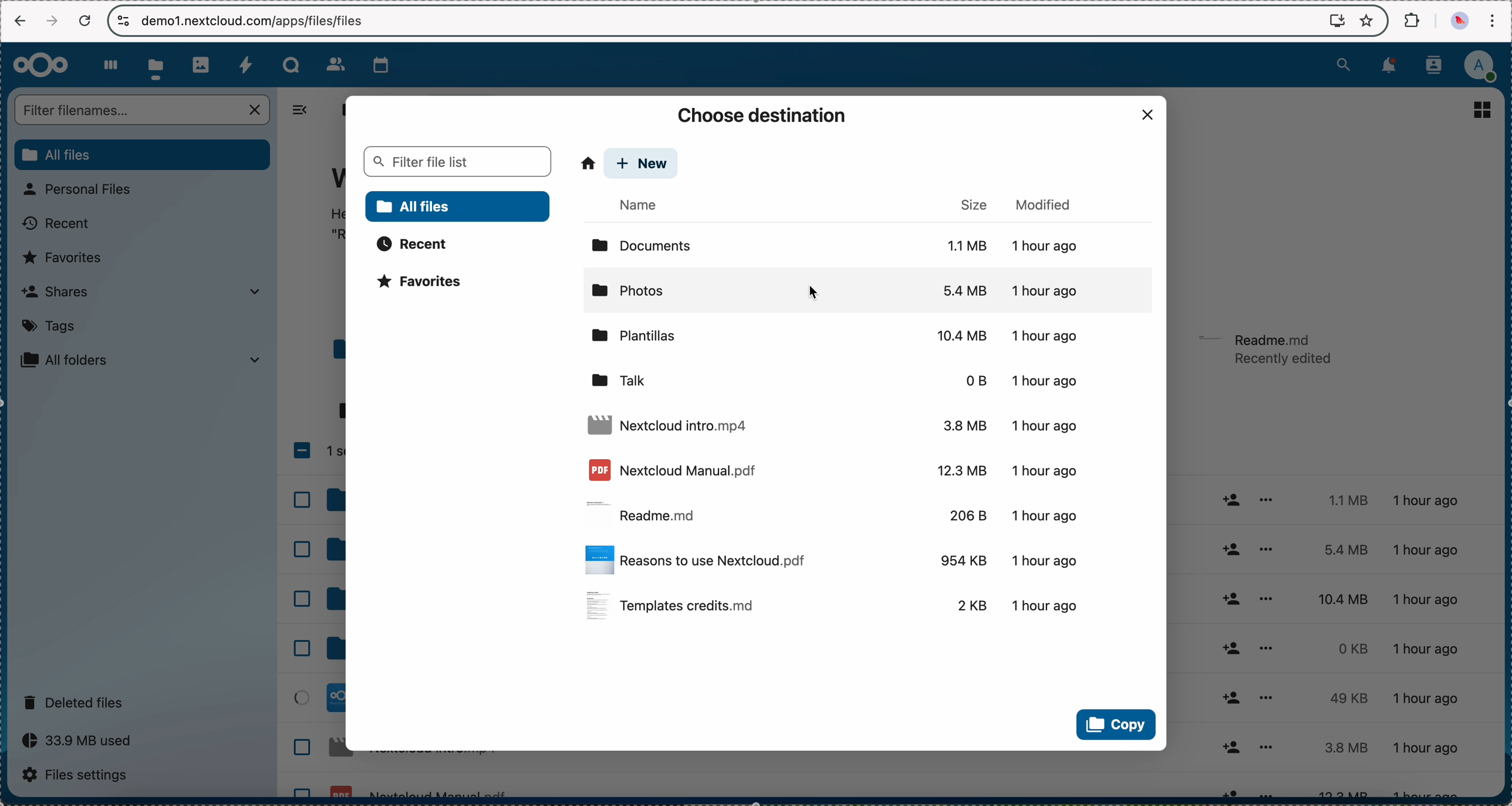  What do you see at coordinates (1412, 21) in the screenshot?
I see `extensions` at bounding box center [1412, 21].